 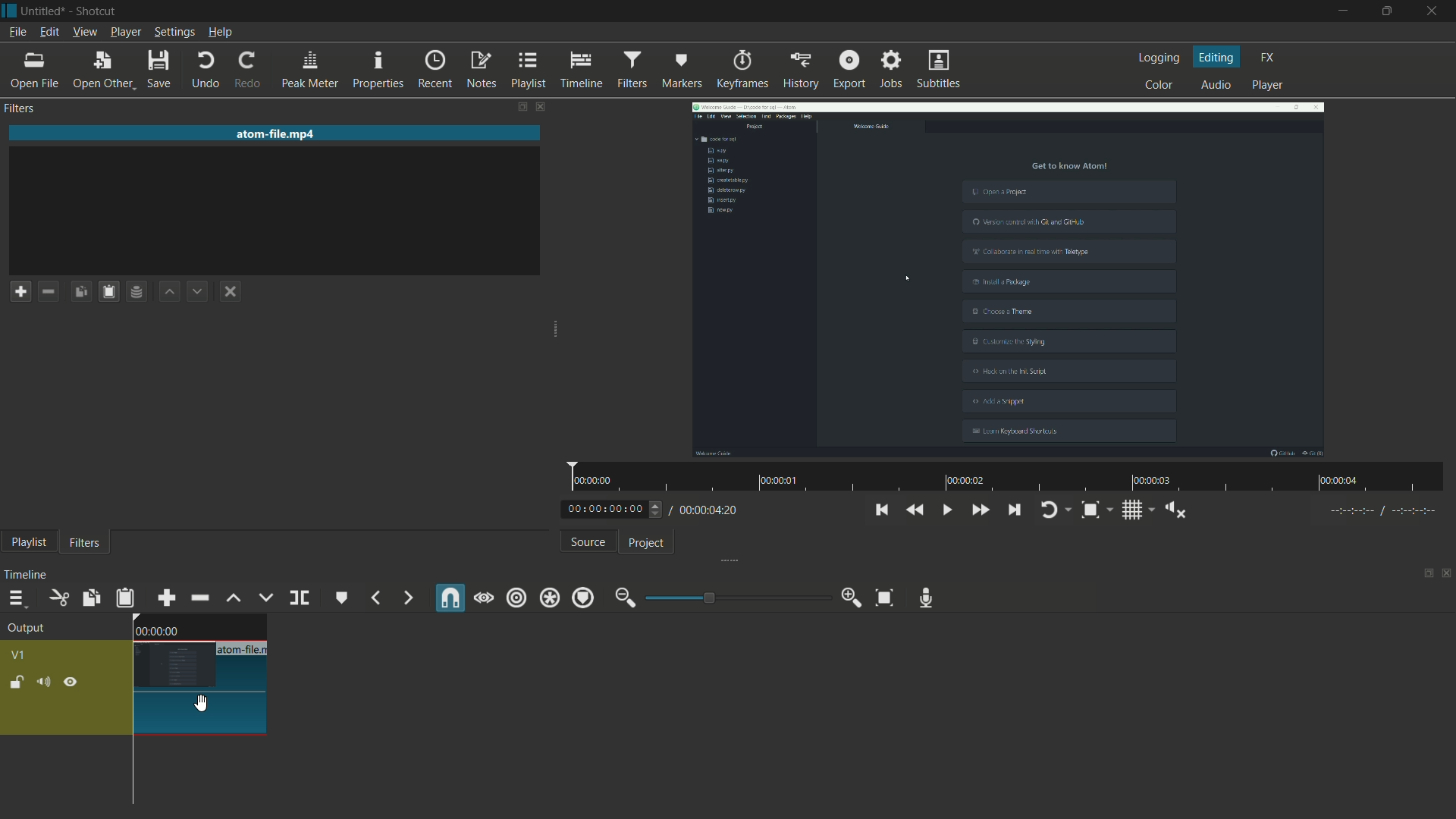 What do you see at coordinates (1053, 510) in the screenshot?
I see `toggle player looping` at bounding box center [1053, 510].